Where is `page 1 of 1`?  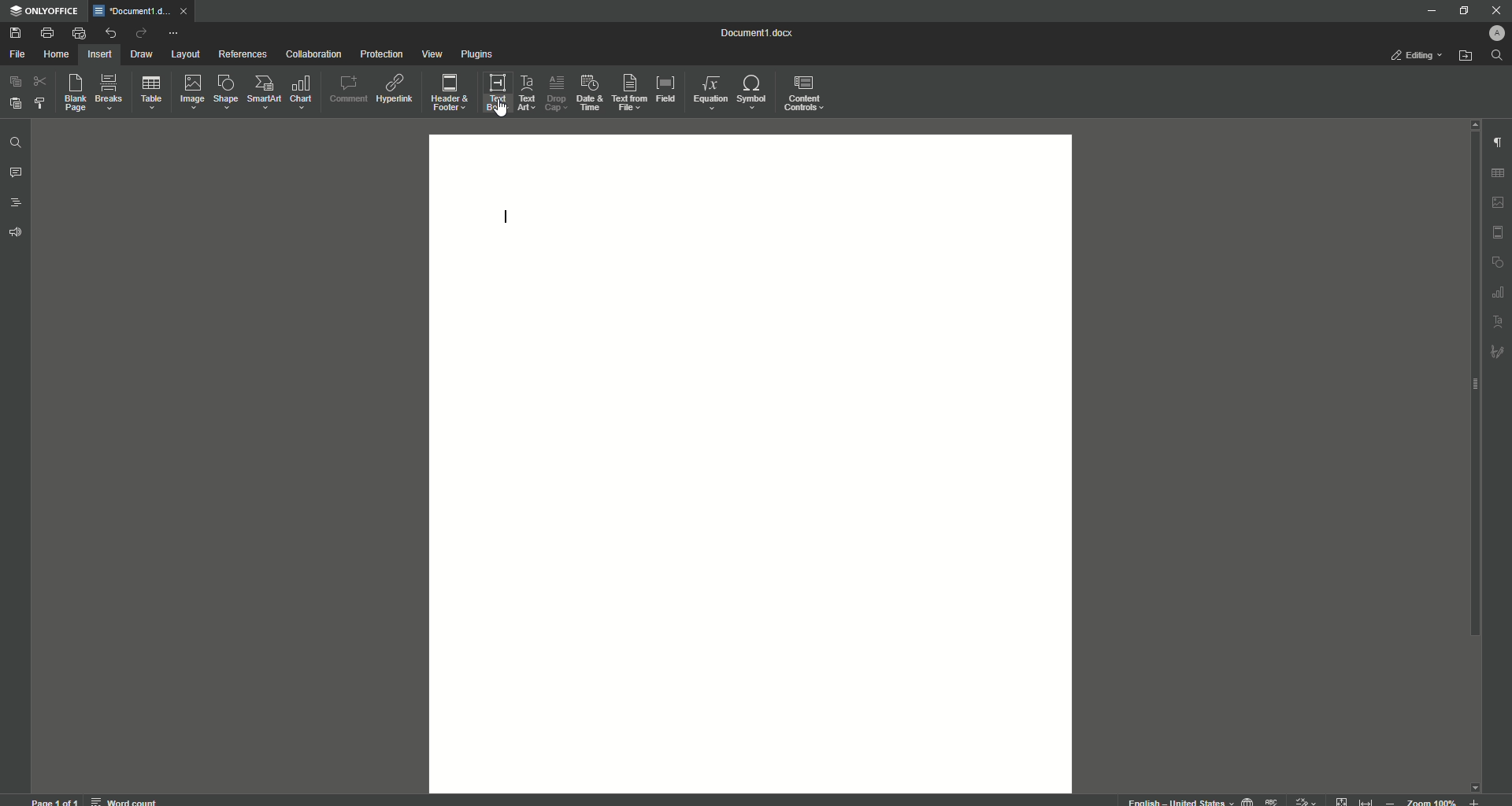 page 1 of 1 is located at coordinates (55, 800).